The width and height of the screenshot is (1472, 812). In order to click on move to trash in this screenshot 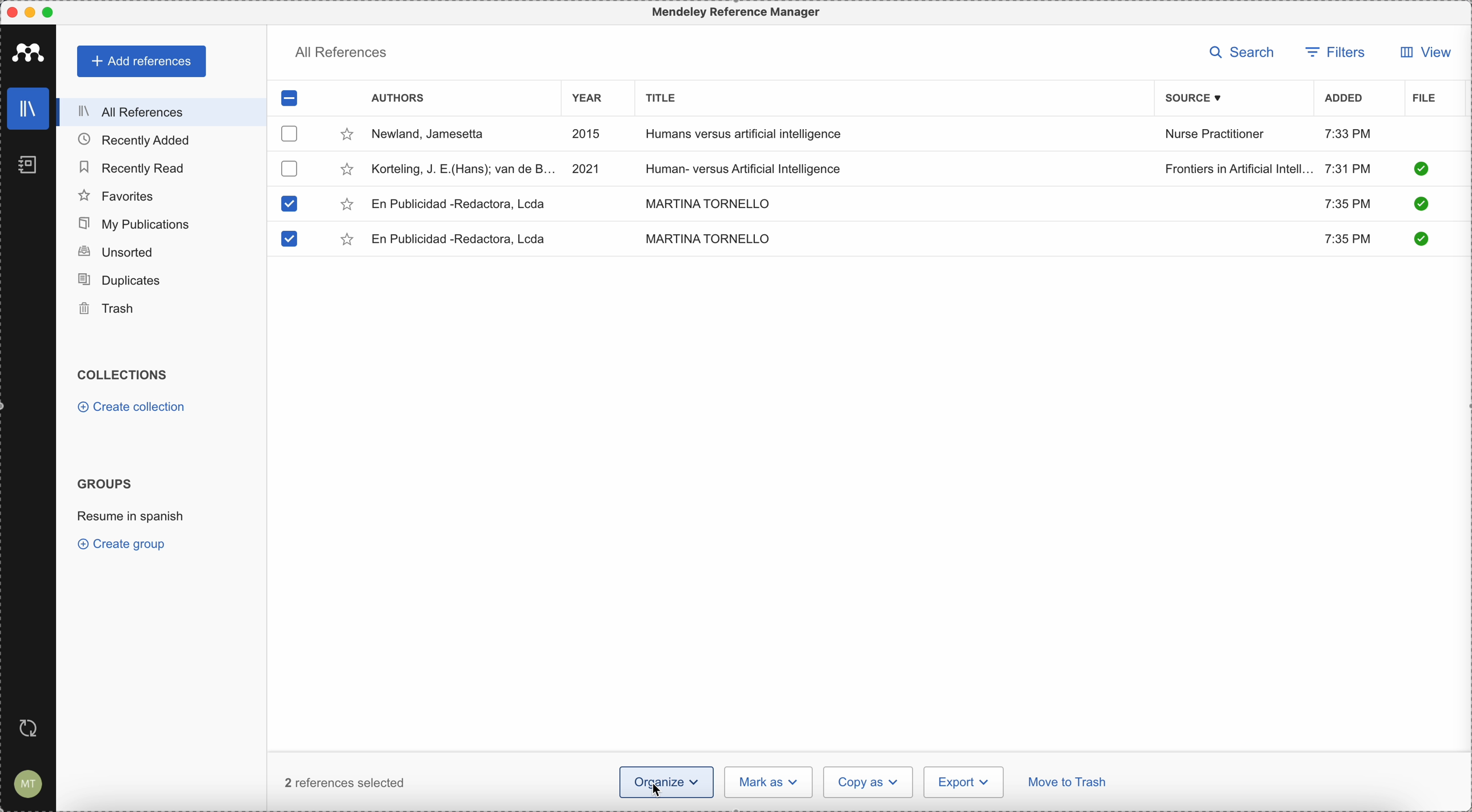, I will do `click(1069, 784)`.